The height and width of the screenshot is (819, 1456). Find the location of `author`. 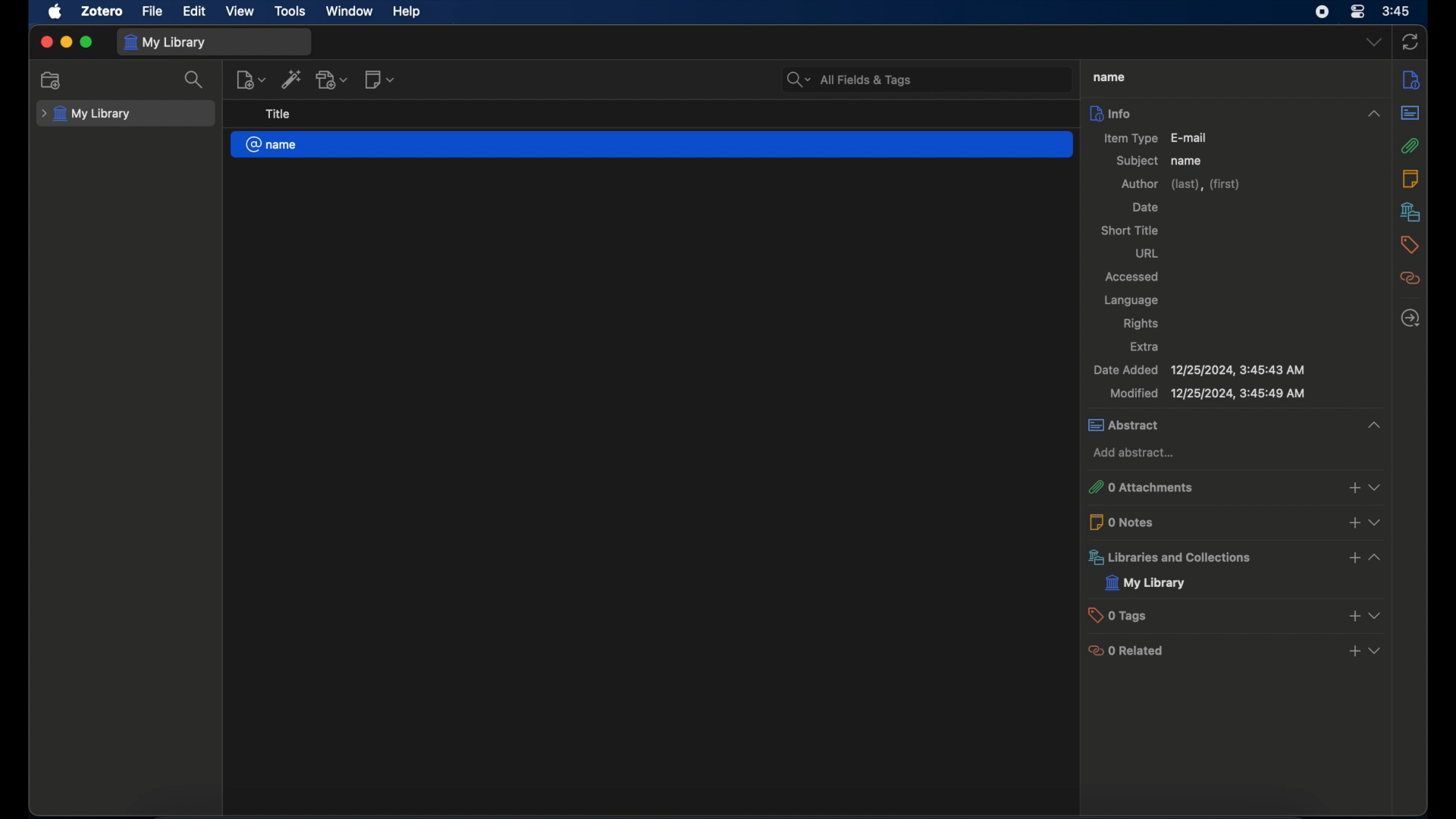

author is located at coordinates (1182, 184).